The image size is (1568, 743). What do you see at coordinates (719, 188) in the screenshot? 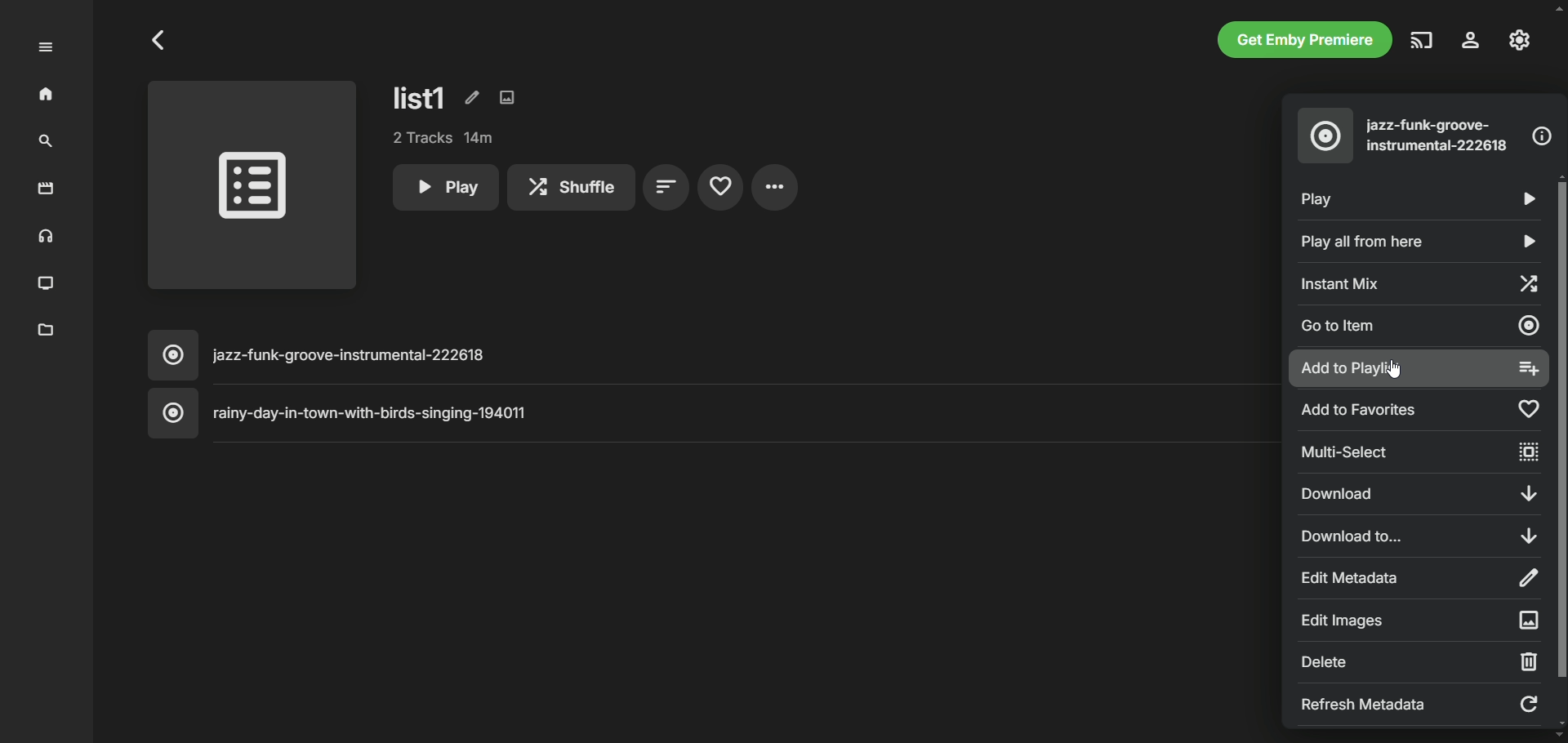
I see `favorites` at bounding box center [719, 188].